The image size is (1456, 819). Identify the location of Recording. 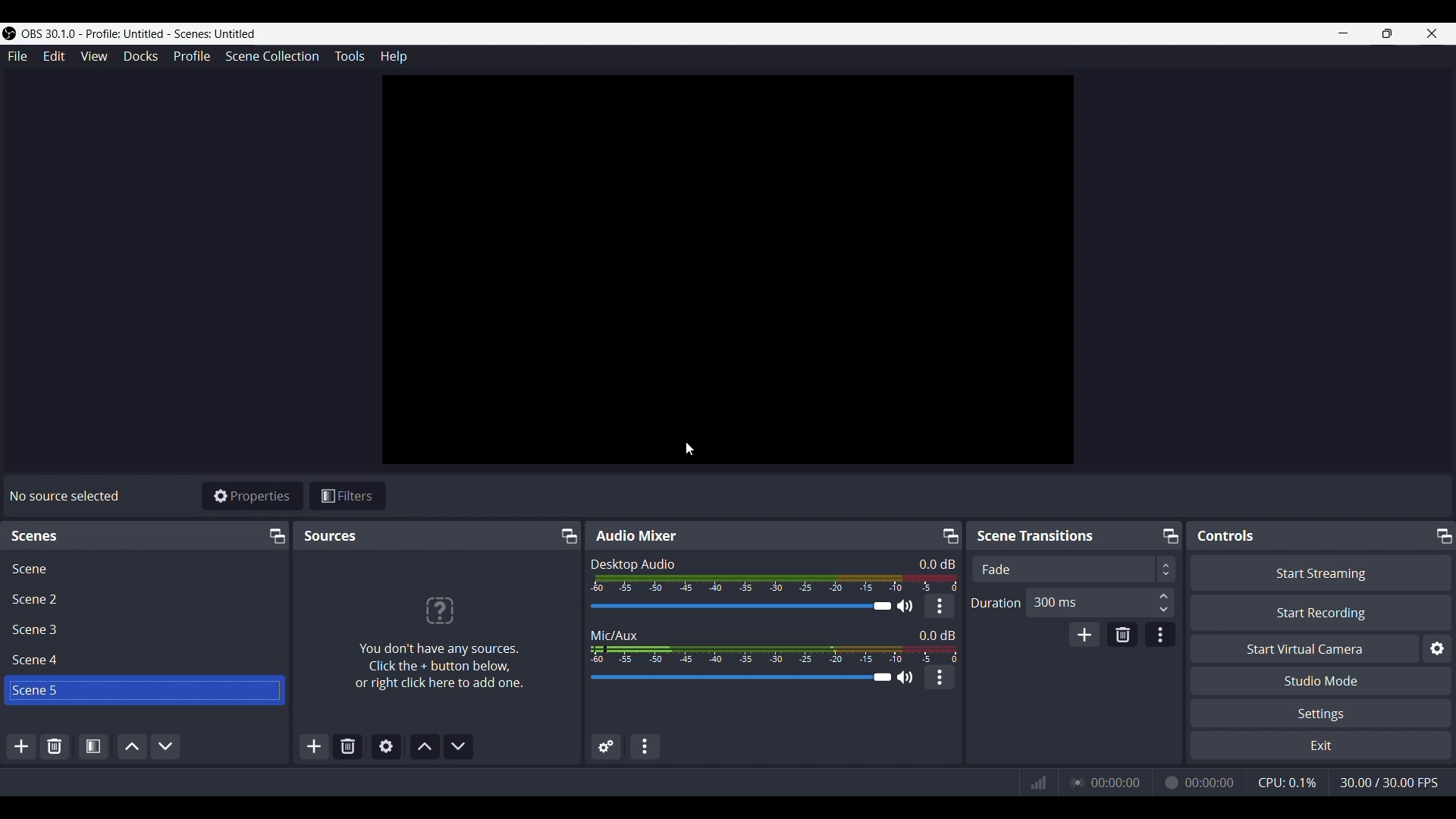
(1170, 781).